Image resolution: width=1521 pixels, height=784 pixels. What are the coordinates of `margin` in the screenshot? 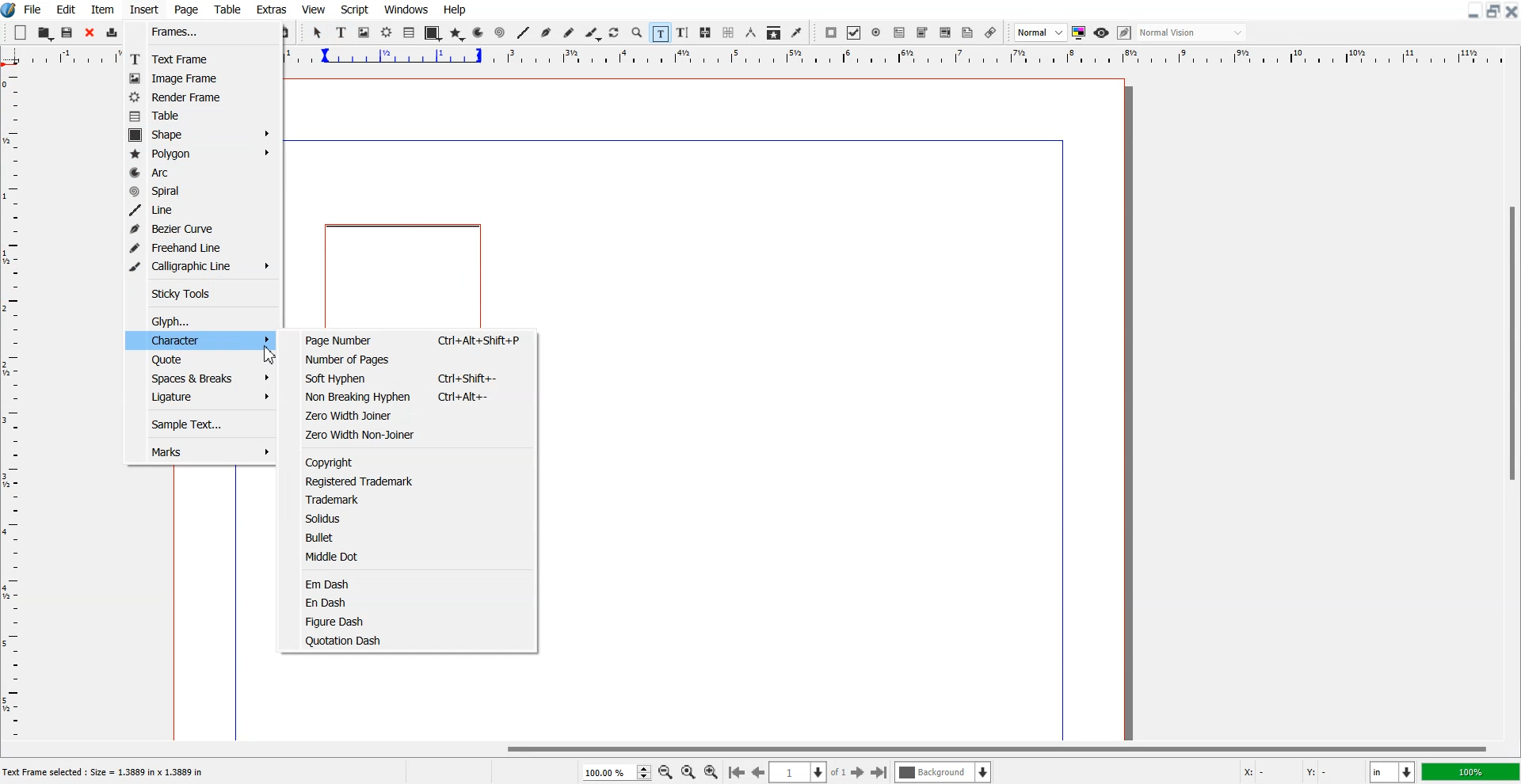 It's located at (669, 137).